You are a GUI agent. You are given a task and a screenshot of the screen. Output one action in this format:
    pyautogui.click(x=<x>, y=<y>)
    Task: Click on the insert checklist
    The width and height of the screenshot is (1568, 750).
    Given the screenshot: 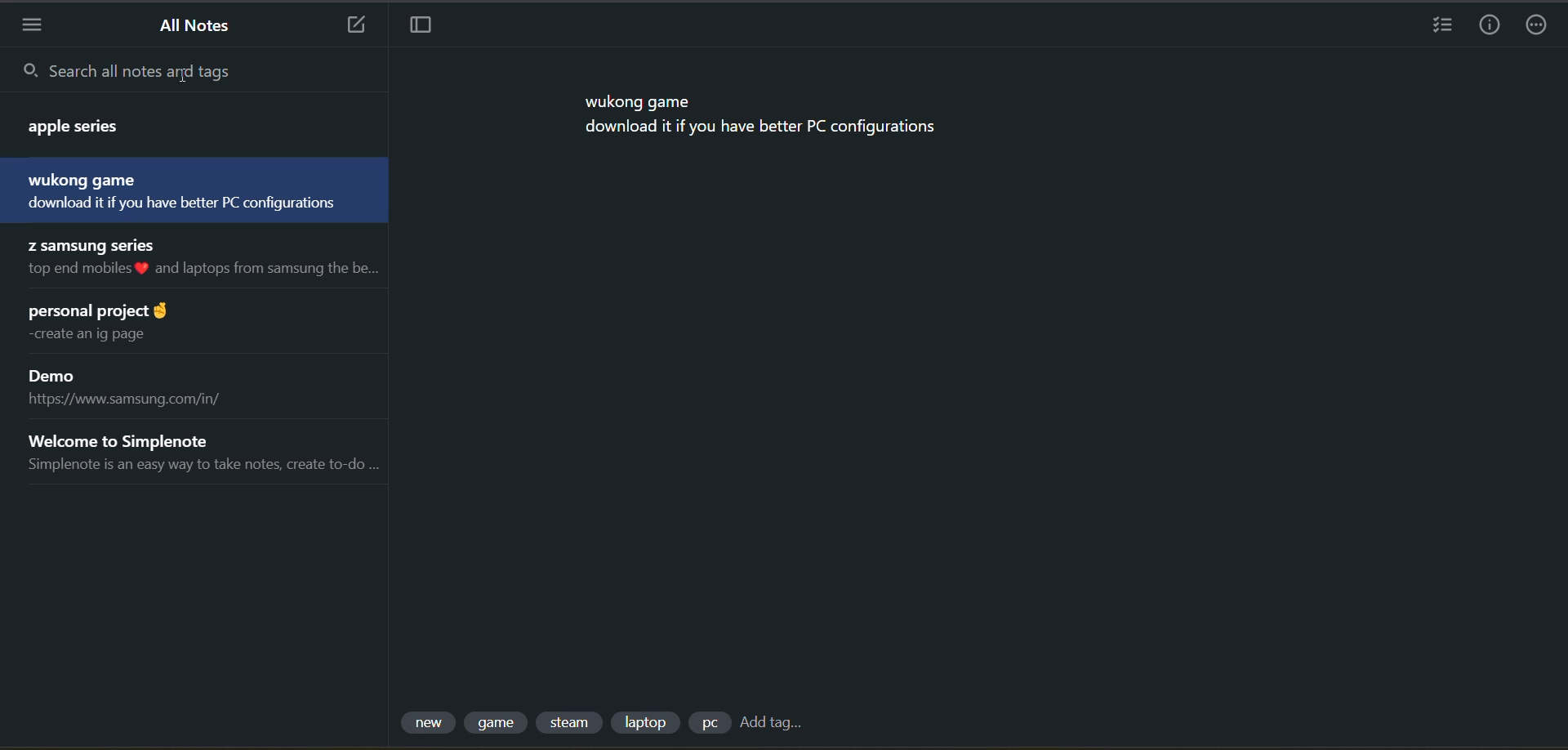 What is the action you would take?
    pyautogui.click(x=1436, y=26)
    